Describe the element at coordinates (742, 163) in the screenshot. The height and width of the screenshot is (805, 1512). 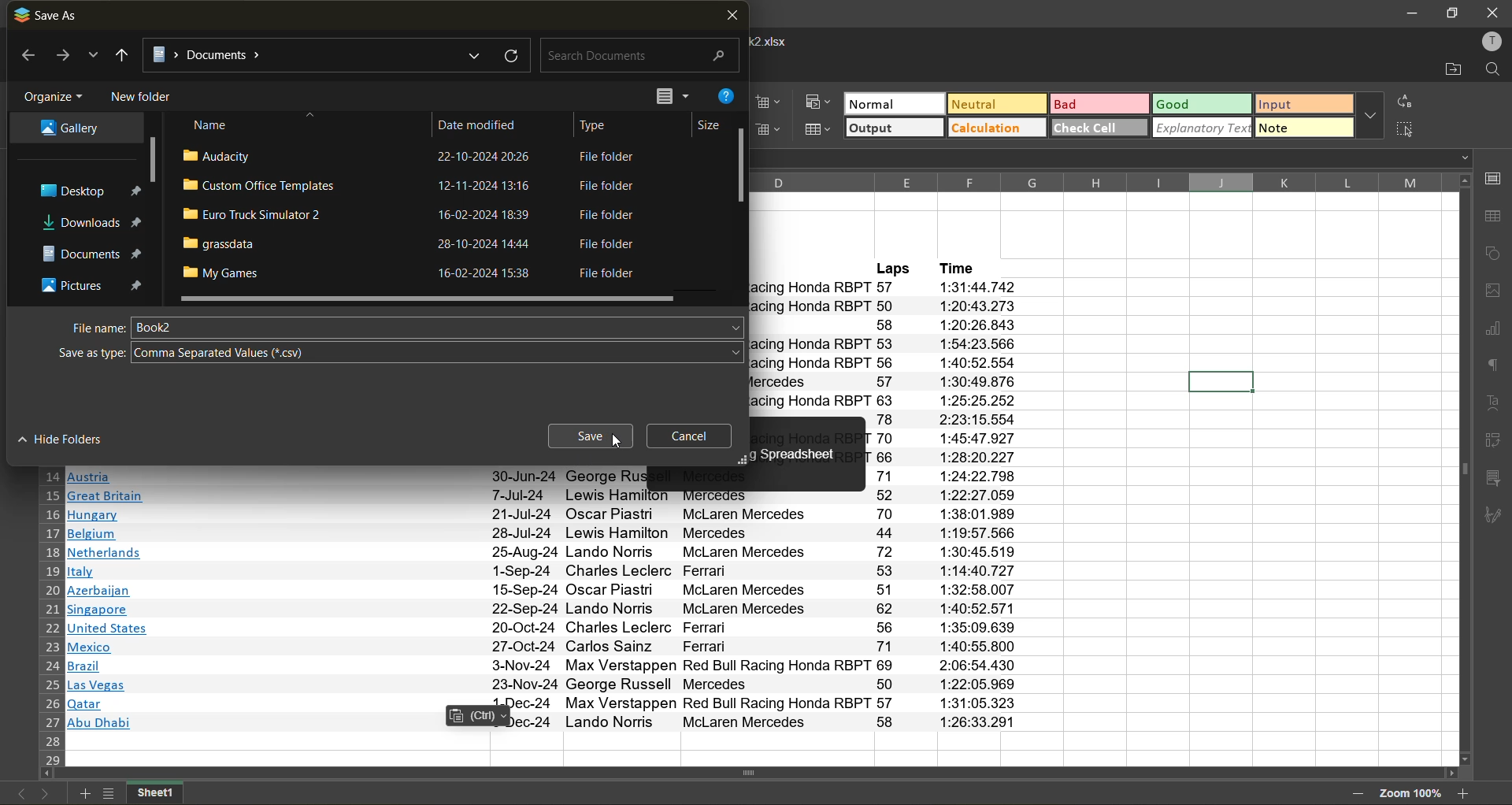
I see `vertical scroll bar` at that location.